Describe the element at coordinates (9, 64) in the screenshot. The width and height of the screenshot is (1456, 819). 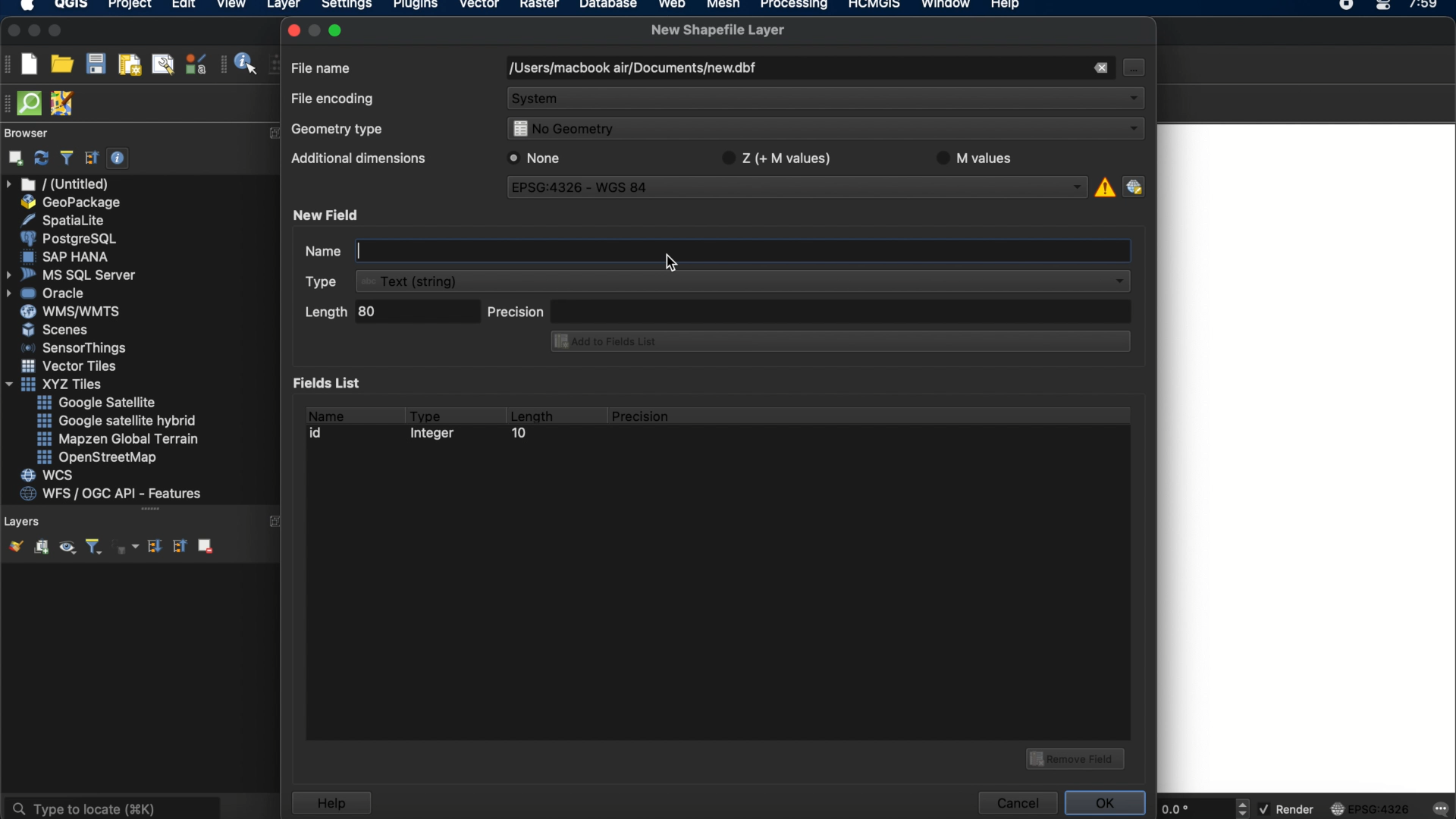
I see `project toolbar` at that location.